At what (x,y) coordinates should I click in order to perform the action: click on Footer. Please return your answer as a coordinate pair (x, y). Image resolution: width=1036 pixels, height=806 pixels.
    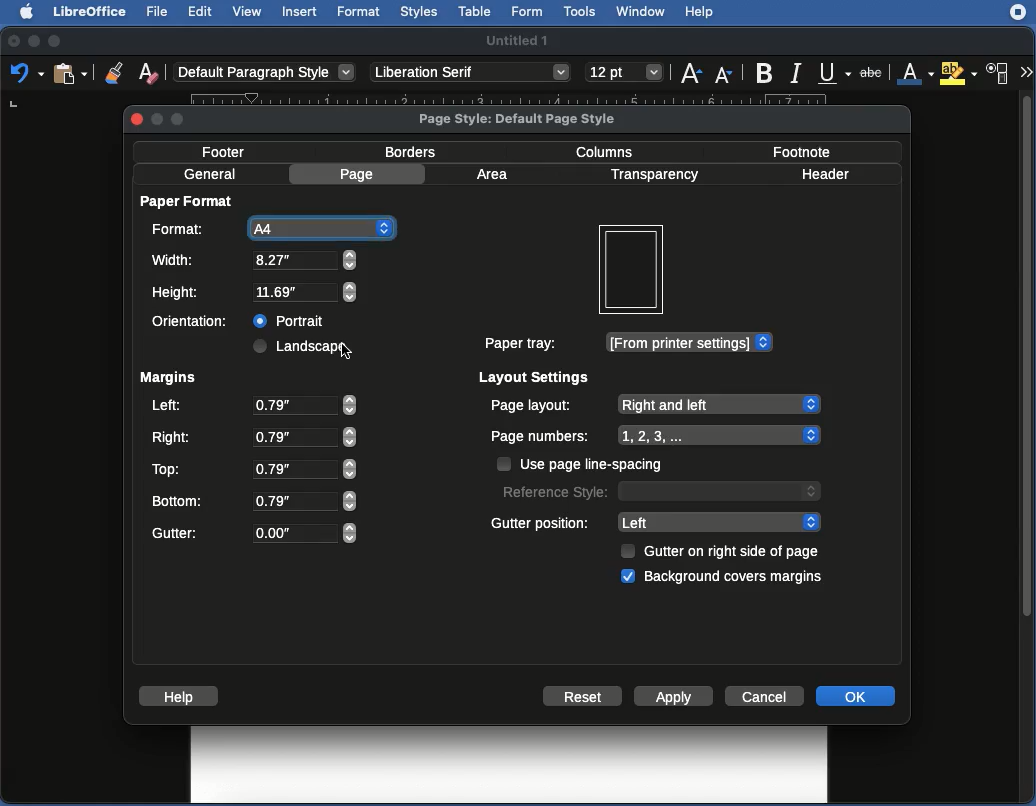
    Looking at the image, I should click on (225, 152).